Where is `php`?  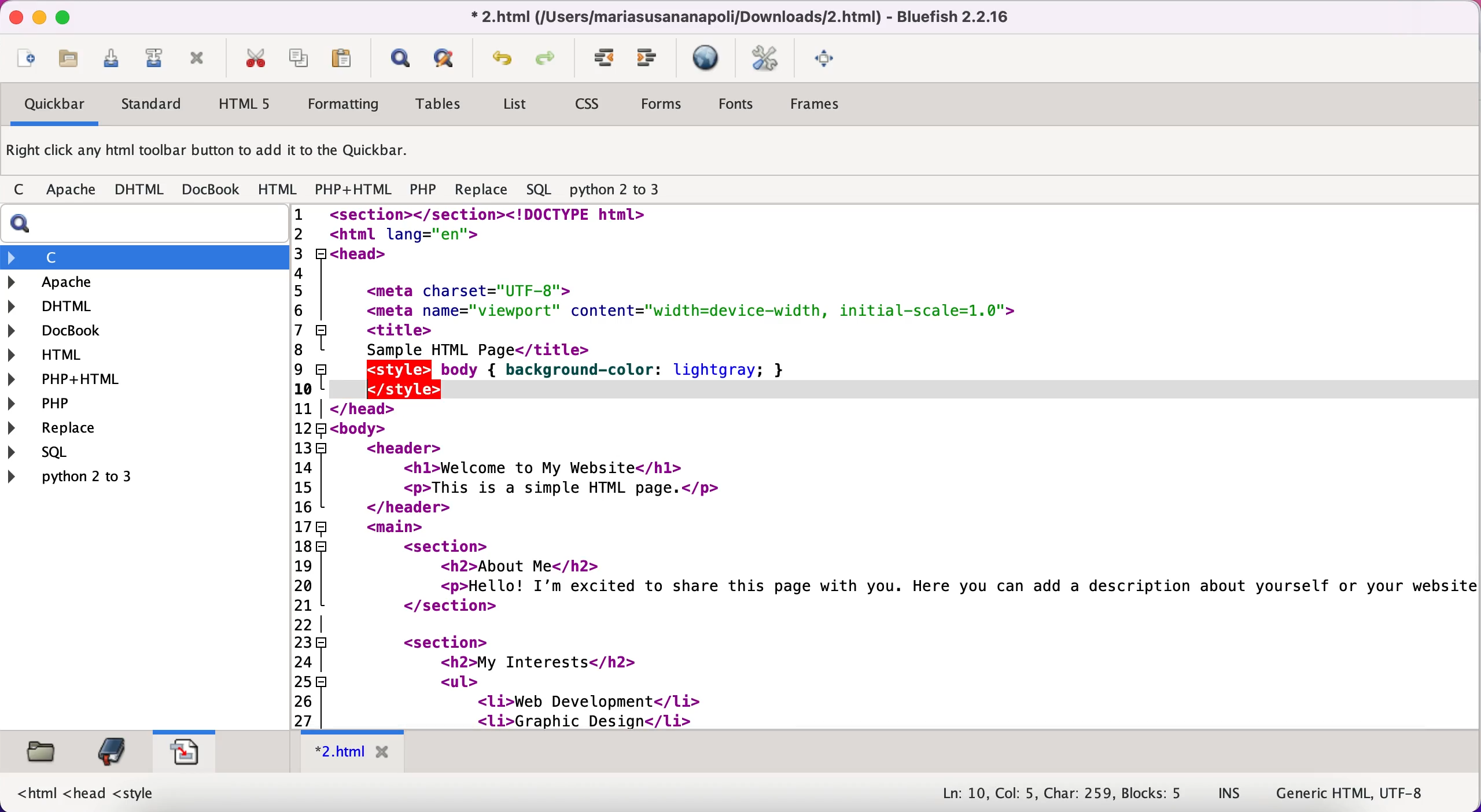
php is located at coordinates (423, 191).